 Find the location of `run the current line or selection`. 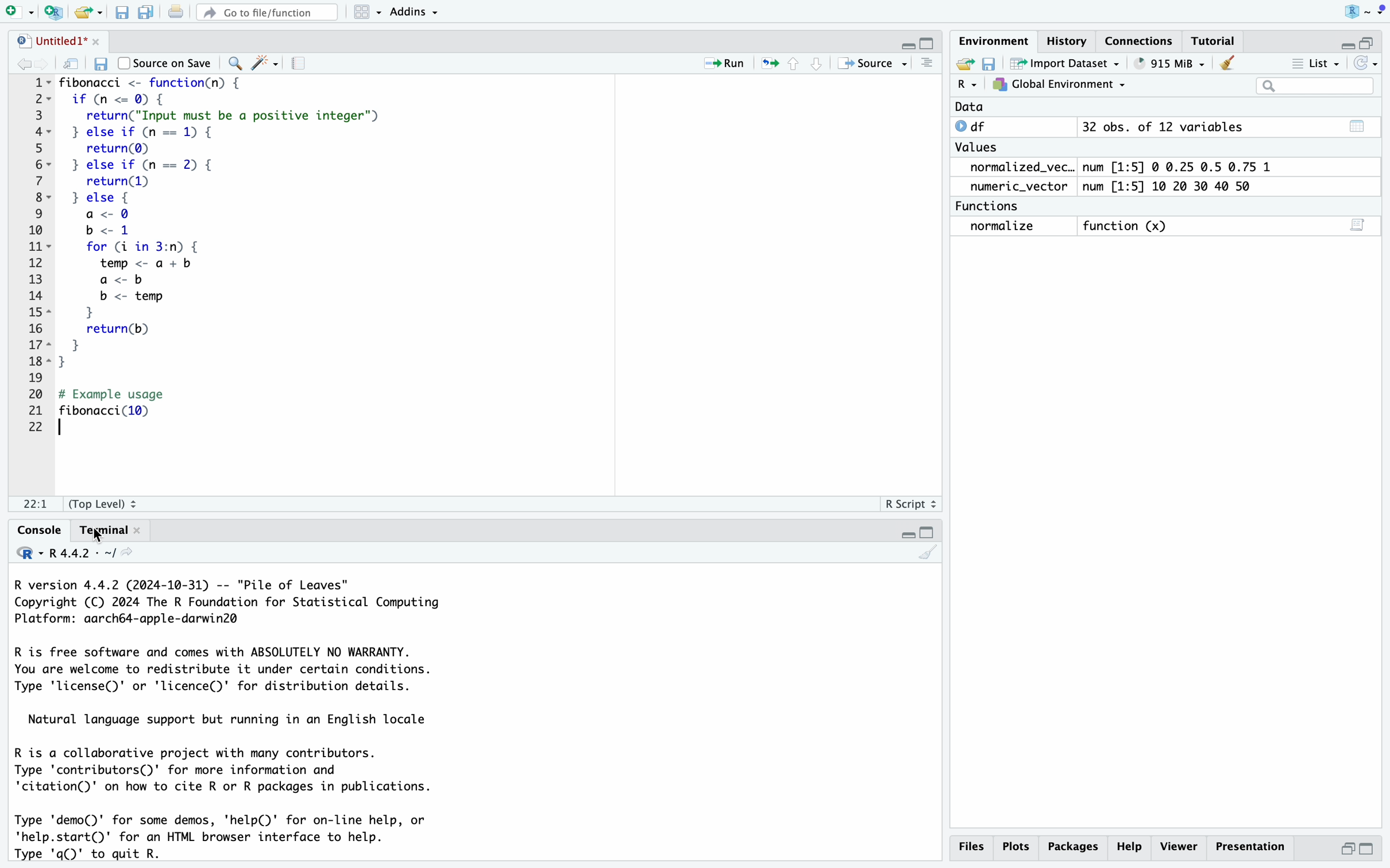

run the current line or selection is located at coordinates (728, 62).